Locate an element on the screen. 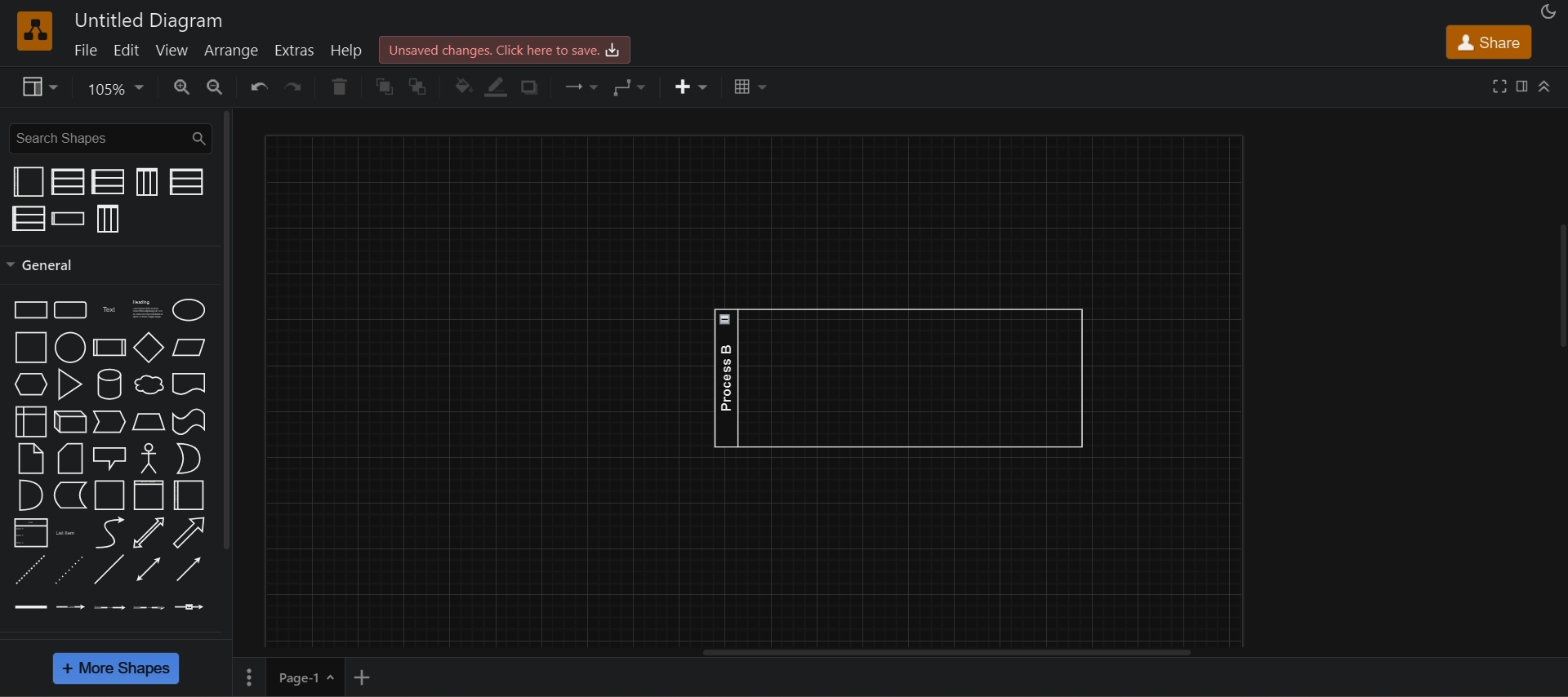  triangle is located at coordinates (69, 384).